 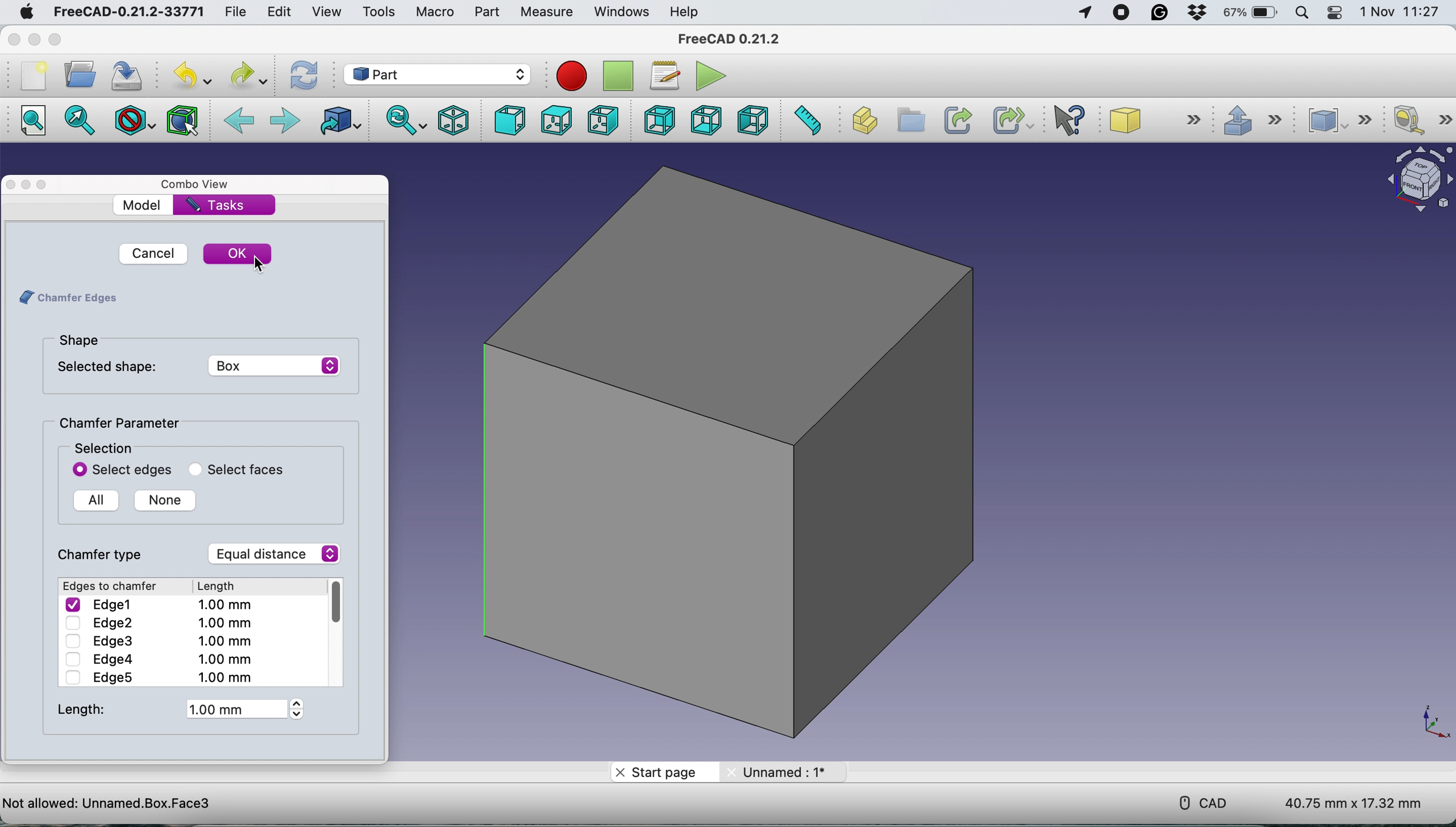 What do you see at coordinates (326, 12) in the screenshot?
I see `view` at bounding box center [326, 12].